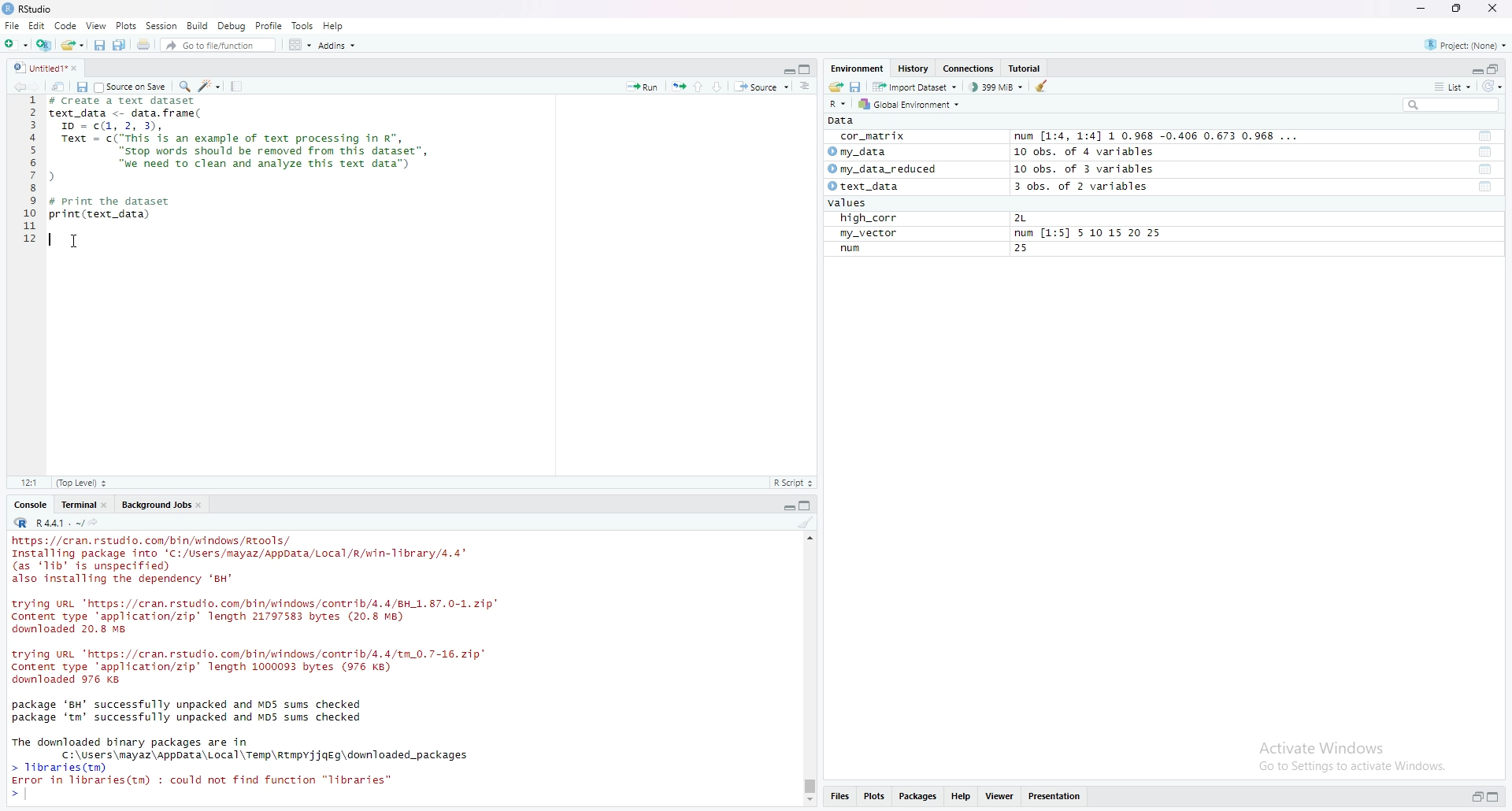  I want to click on connections, so click(971, 69).